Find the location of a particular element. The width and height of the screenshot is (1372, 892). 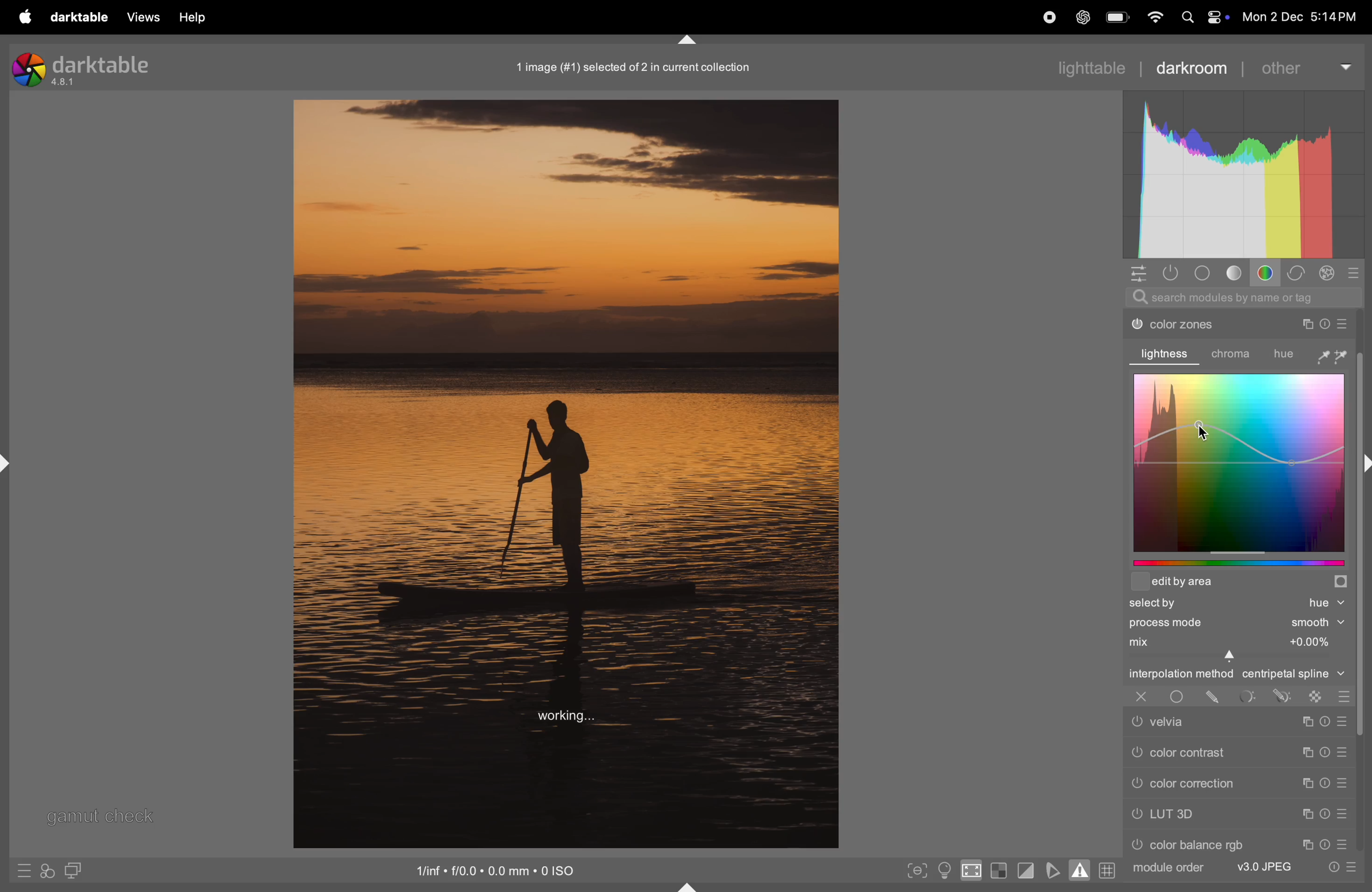

Search is located at coordinates (1188, 18).